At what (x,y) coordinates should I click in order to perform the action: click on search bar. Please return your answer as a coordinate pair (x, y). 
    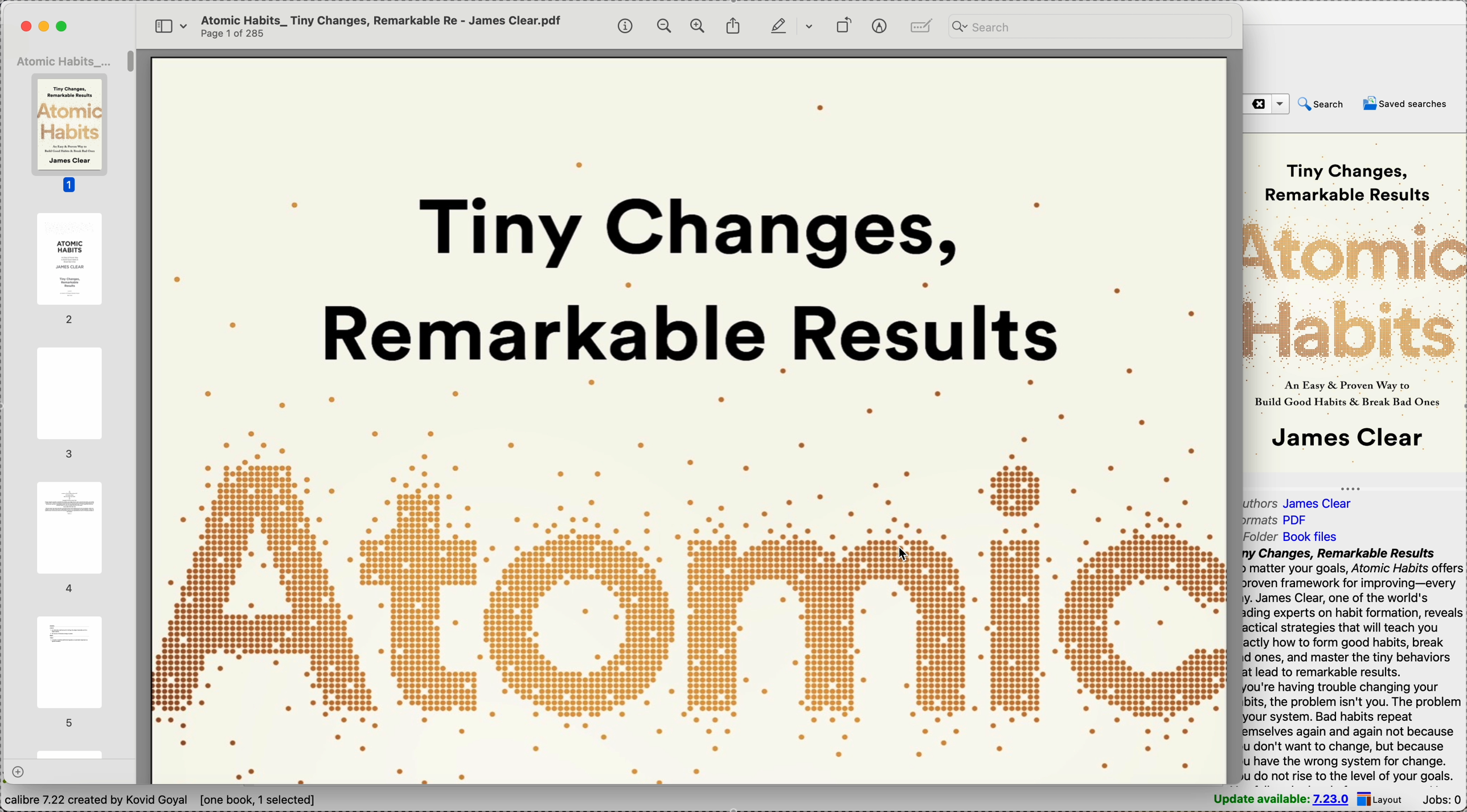
    Looking at the image, I should click on (1267, 104).